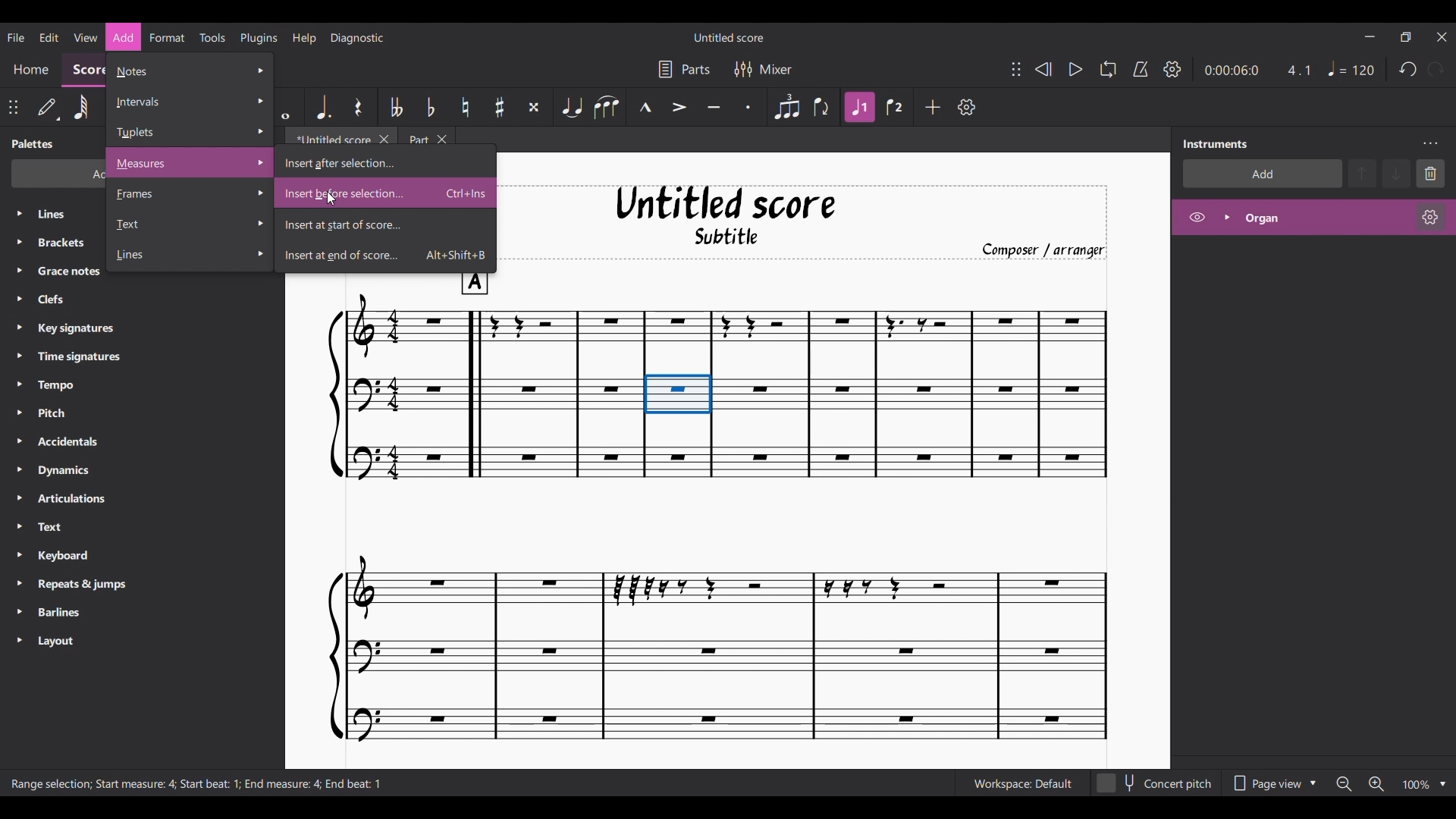 This screenshot has width=1456, height=819. I want to click on Panel title, so click(32, 143).